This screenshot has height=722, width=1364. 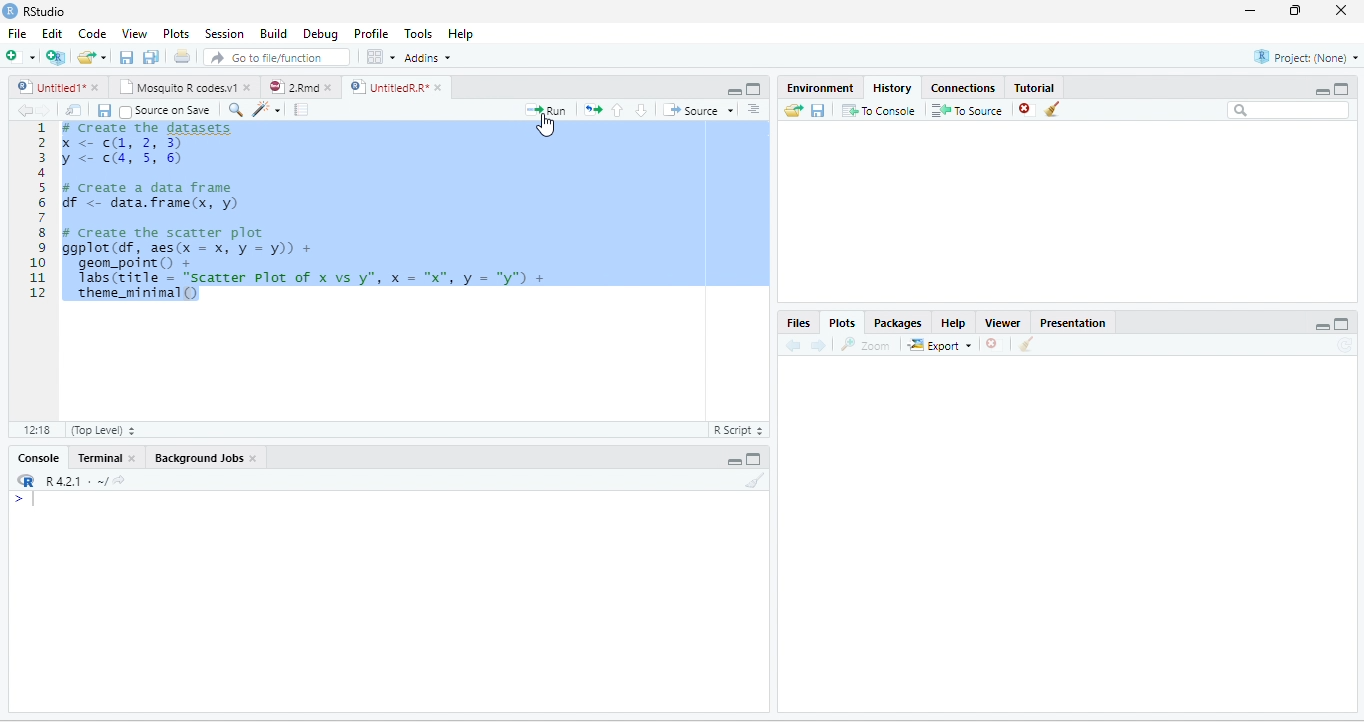 I want to click on close, so click(x=1340, y=11).